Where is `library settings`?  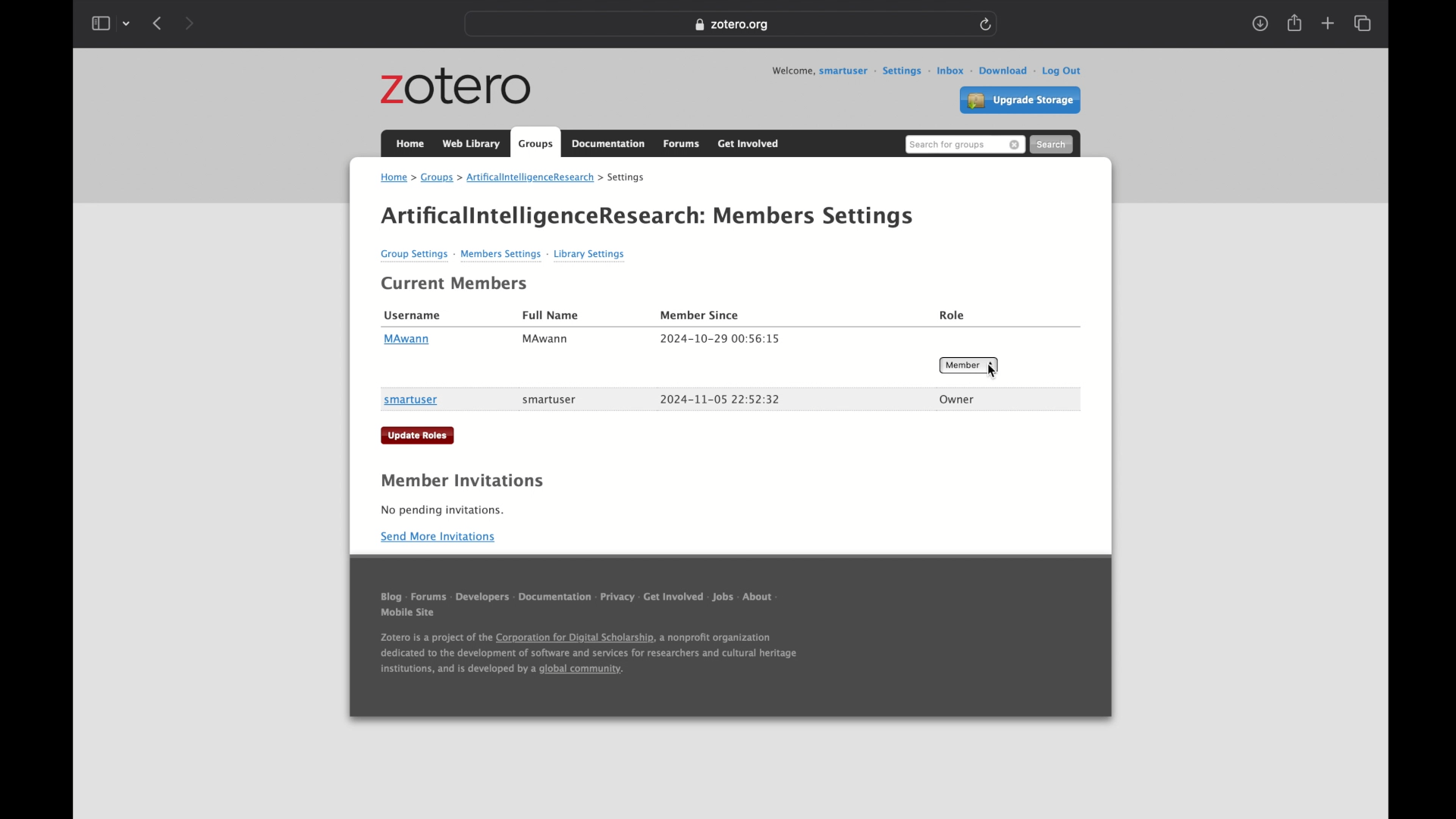 library settings is located at coordinates (589, 255).